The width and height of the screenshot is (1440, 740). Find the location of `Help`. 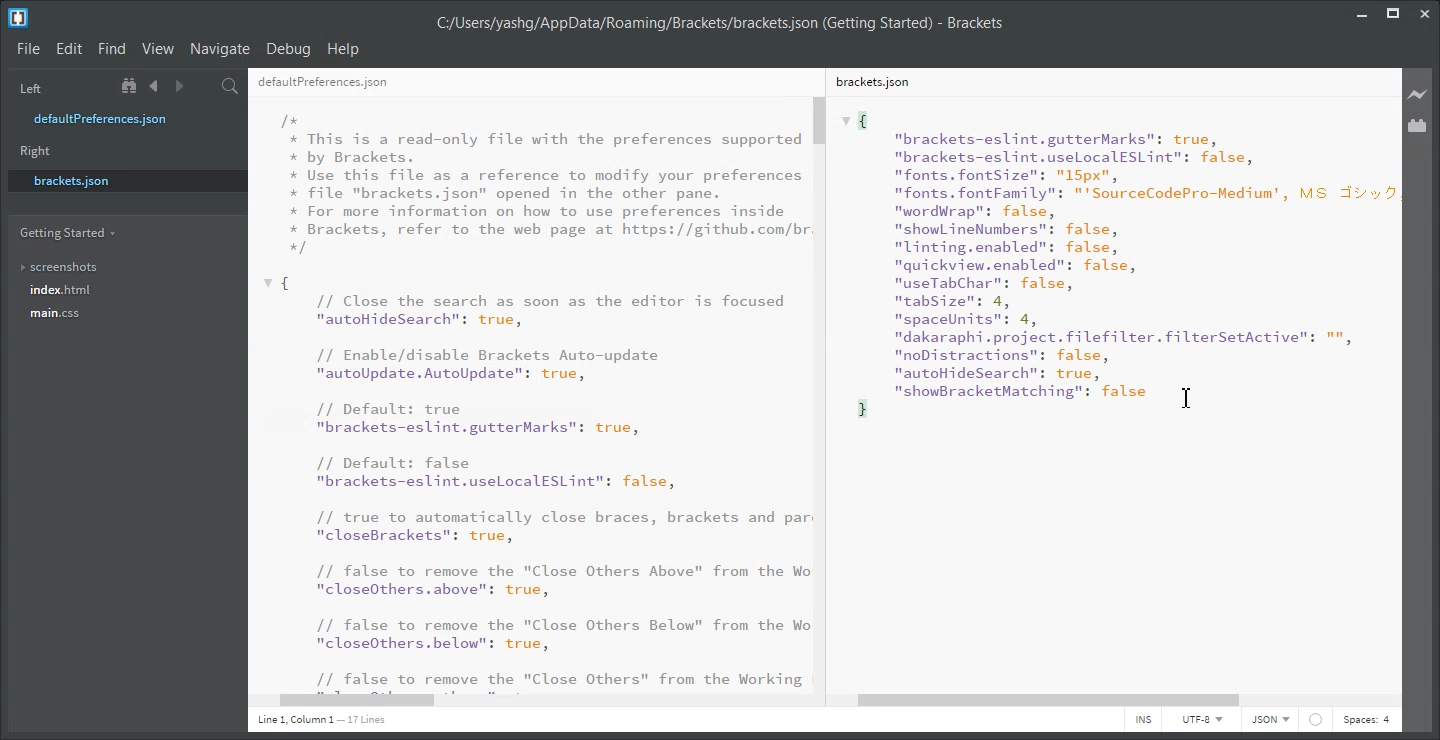

Help is located at coordinates (345, 49).